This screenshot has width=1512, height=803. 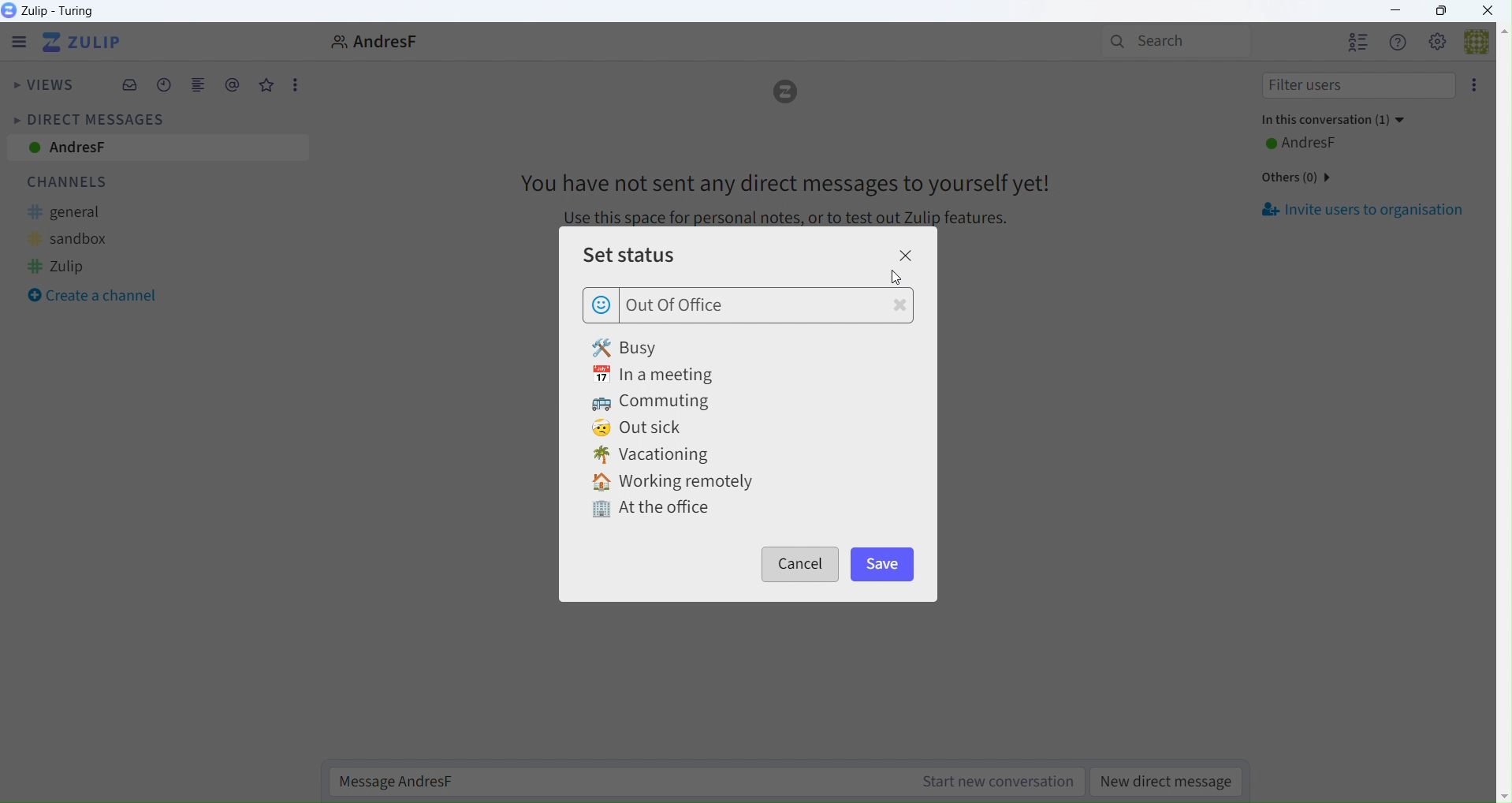 What do you see at coordinates (653, 345) in the screenshot?
I see `busy` at bounding box center [653, 345].